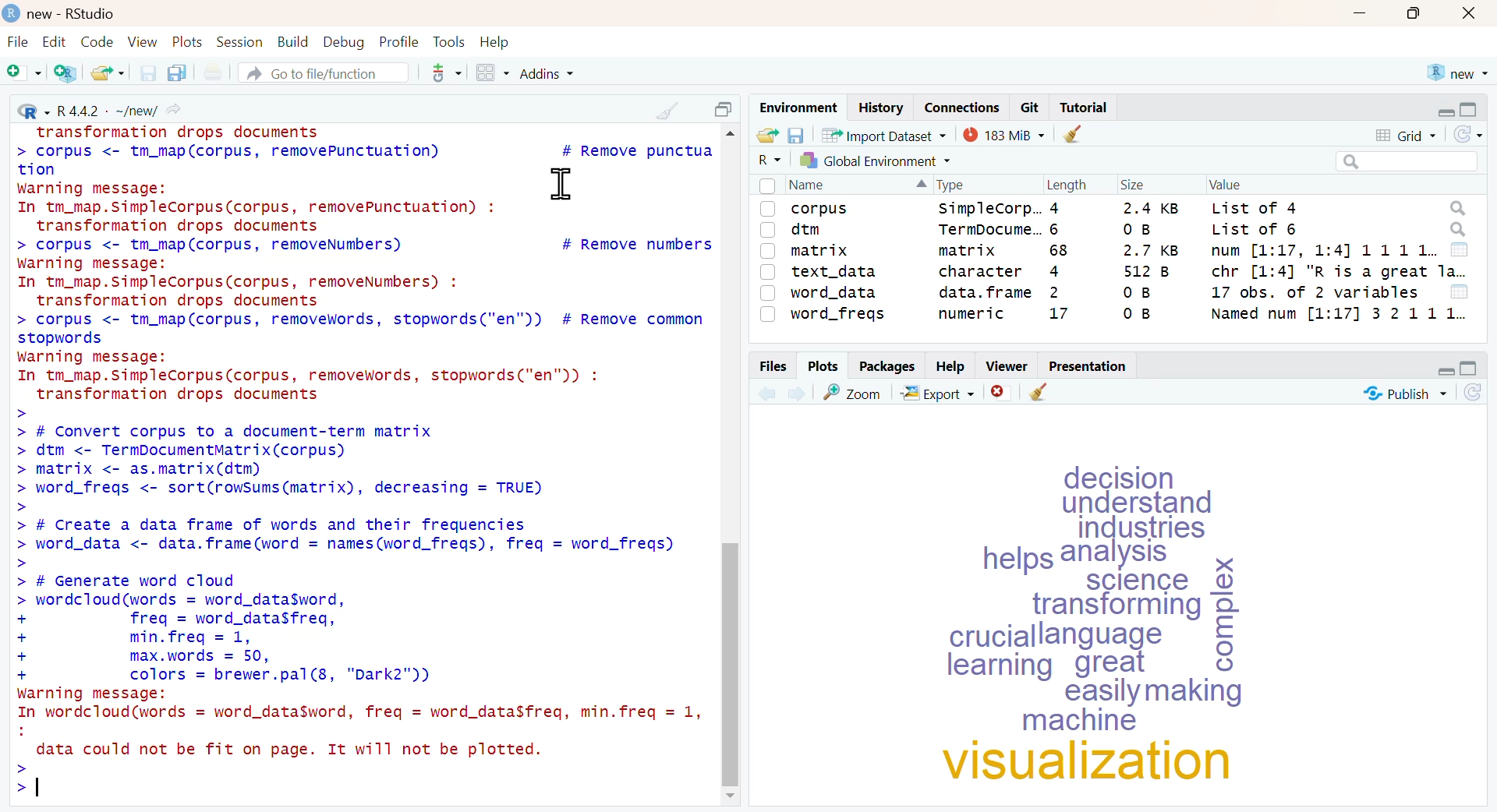 This screenshot has height=812, width=1497. What do you see at coordinates (1002, 393) in the screenshot?
I see `Delete file` at bounding box center [1002, 393].